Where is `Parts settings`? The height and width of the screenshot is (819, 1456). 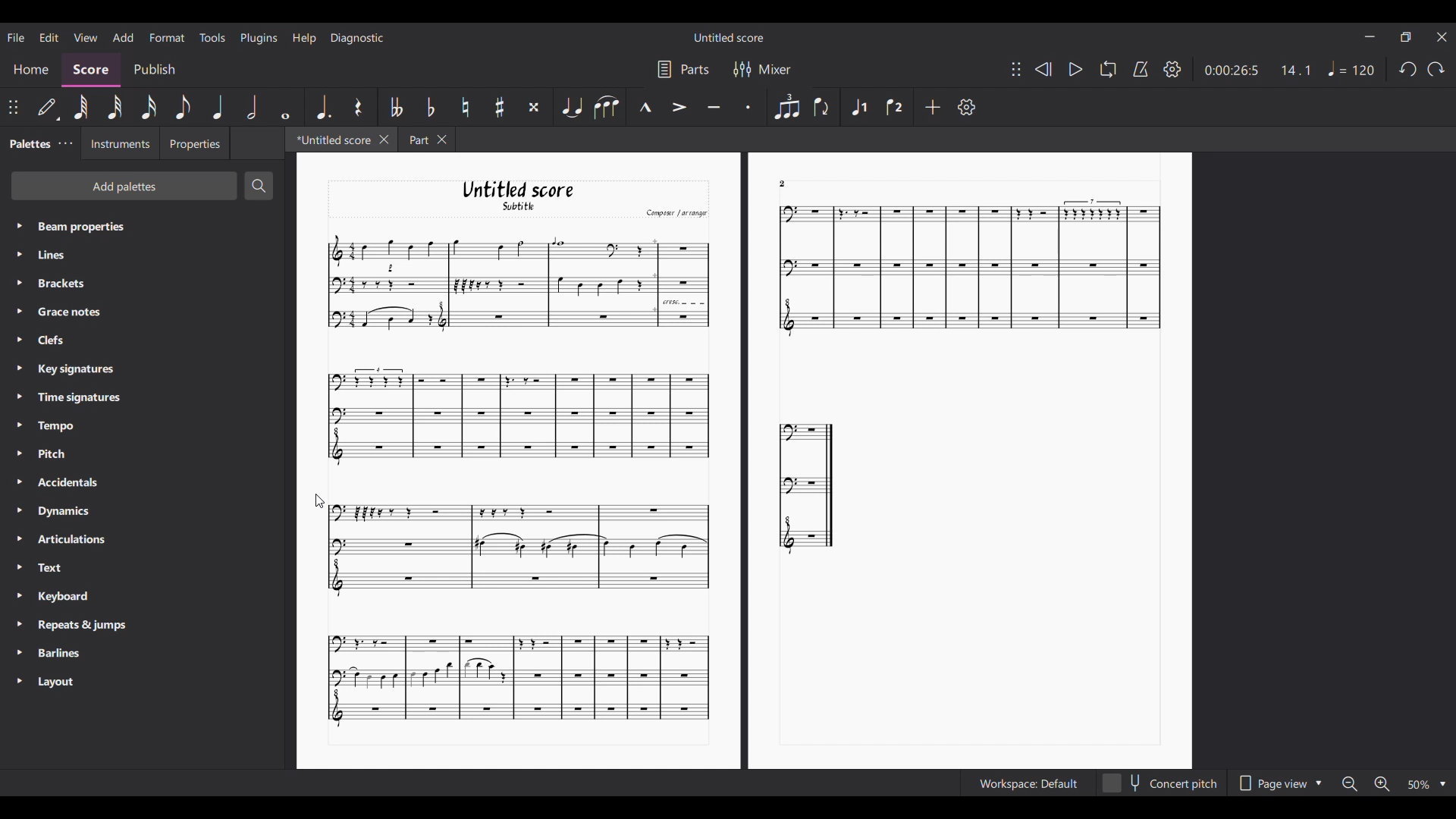
Parts settings is located at coordinates (684, 69).